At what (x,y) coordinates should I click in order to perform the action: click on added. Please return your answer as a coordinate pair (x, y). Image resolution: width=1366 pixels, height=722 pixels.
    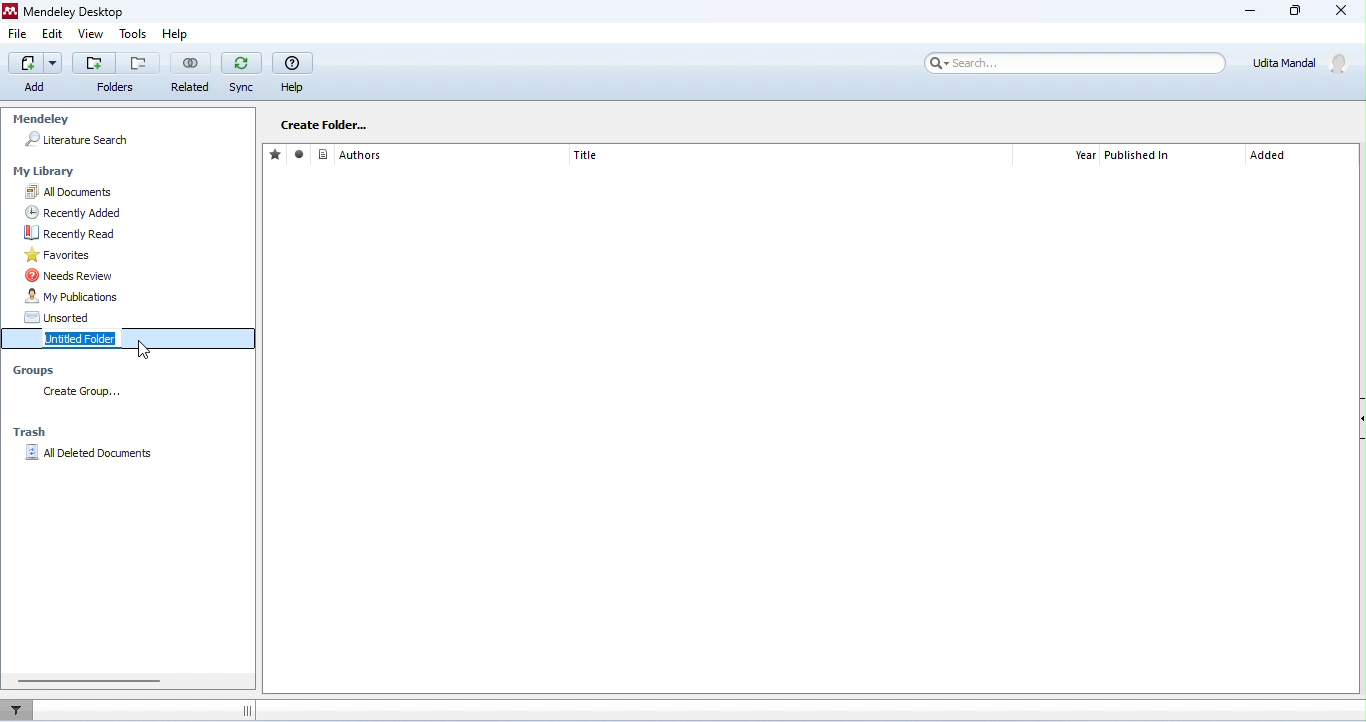
    Looking at the image, I should click on (1269, 157).